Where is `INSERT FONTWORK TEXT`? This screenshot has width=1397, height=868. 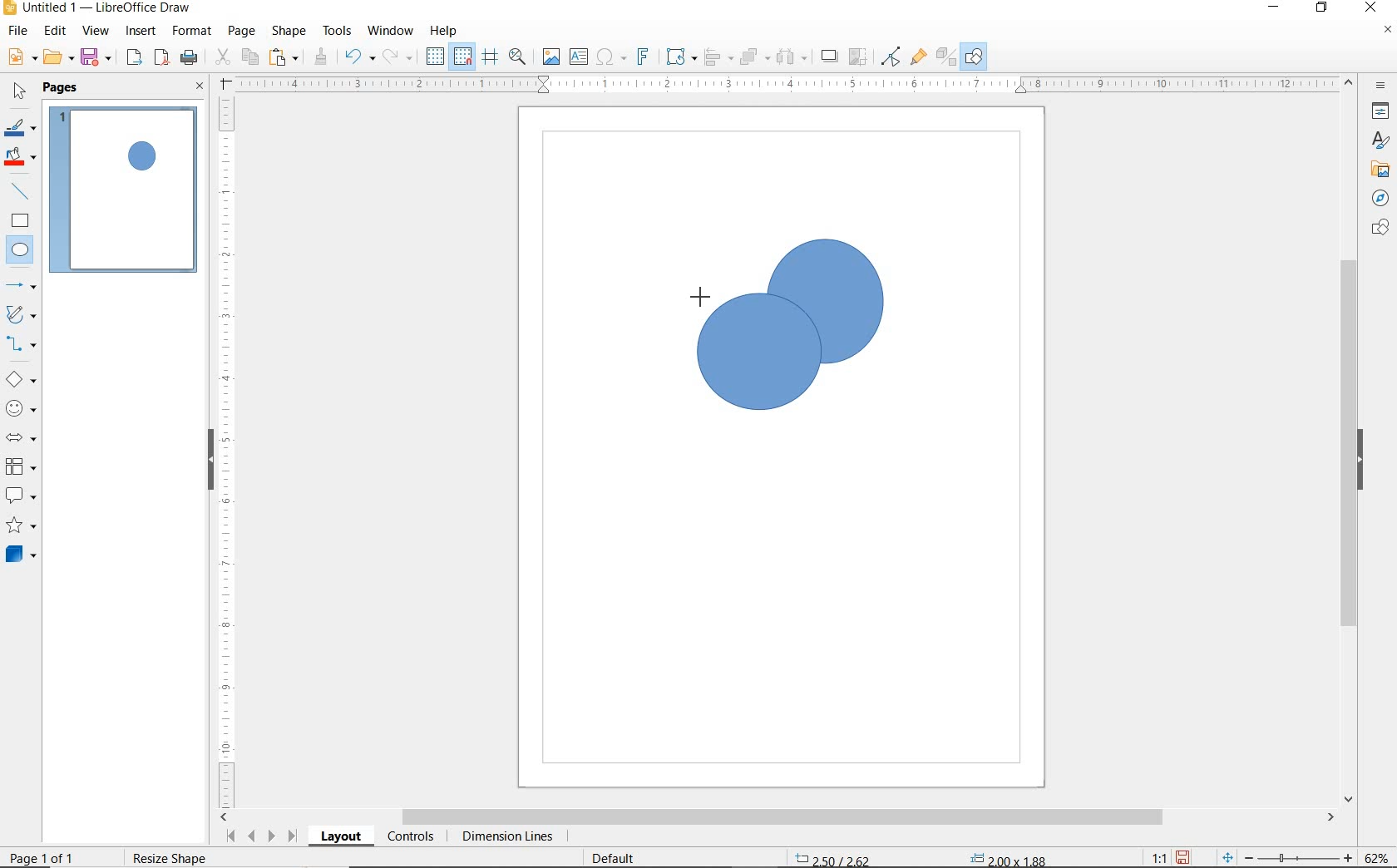
INSERT FONTWORK TEXT is located at coordinates (641, 57).